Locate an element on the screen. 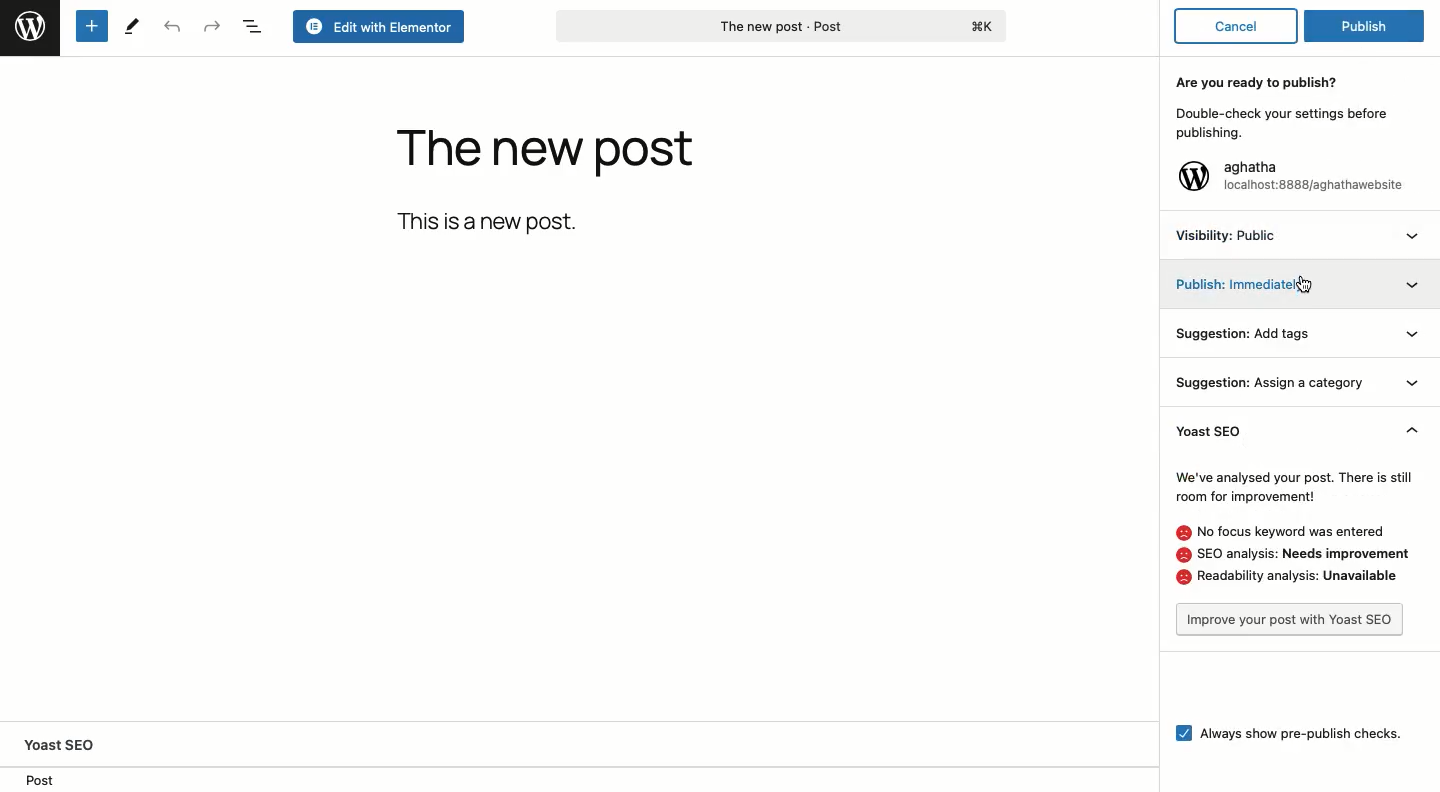 Image resolution: width=1440 pixels, height=792 pixels. Collapse is located at coordinates (1412, 429).